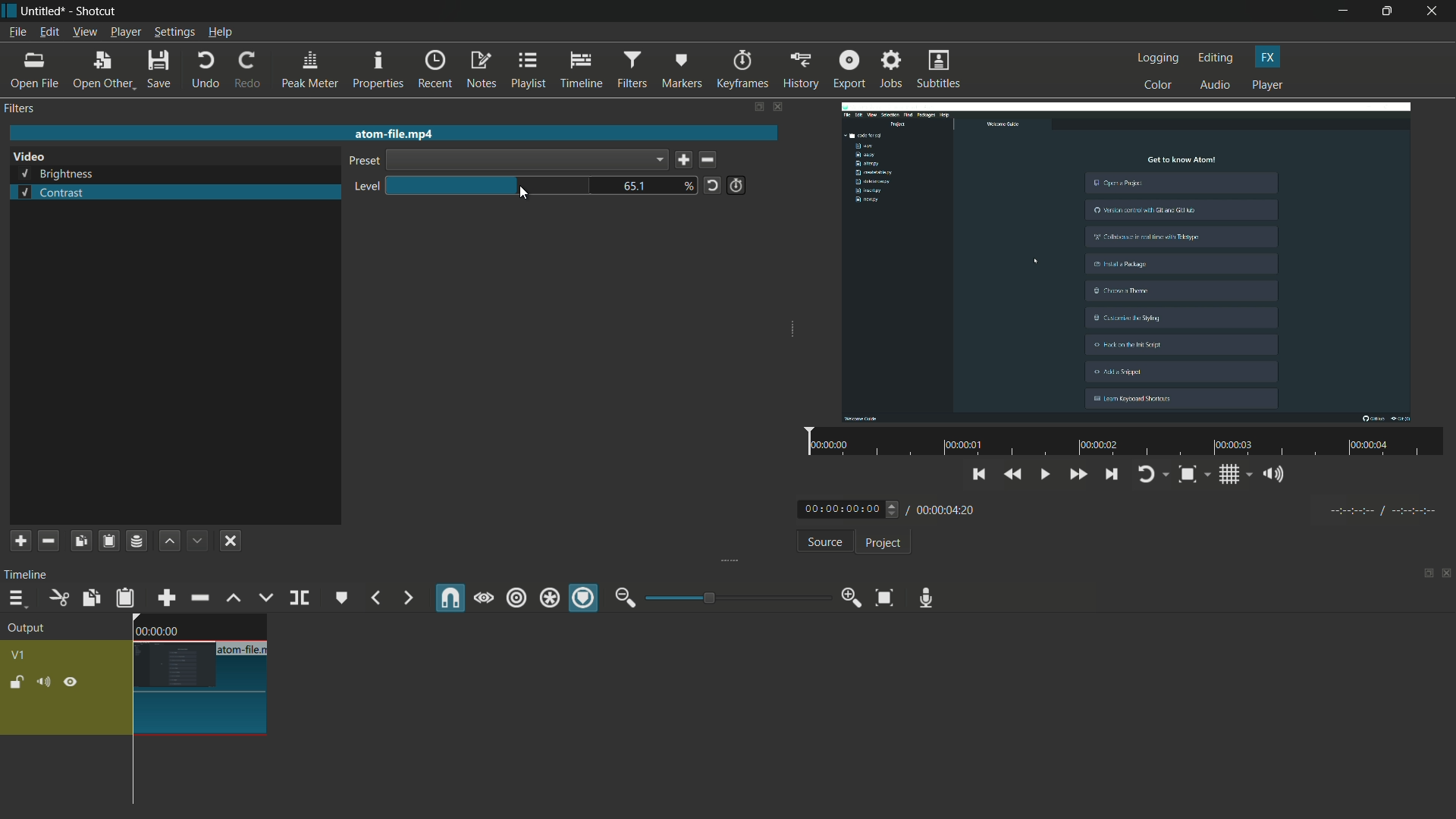 Image resolution: width=1456 pixels, height=819 pixels. What do you see at coordinates (529, 70) in the screenshot?
I see `playlist` at bounding box center [529, 70].